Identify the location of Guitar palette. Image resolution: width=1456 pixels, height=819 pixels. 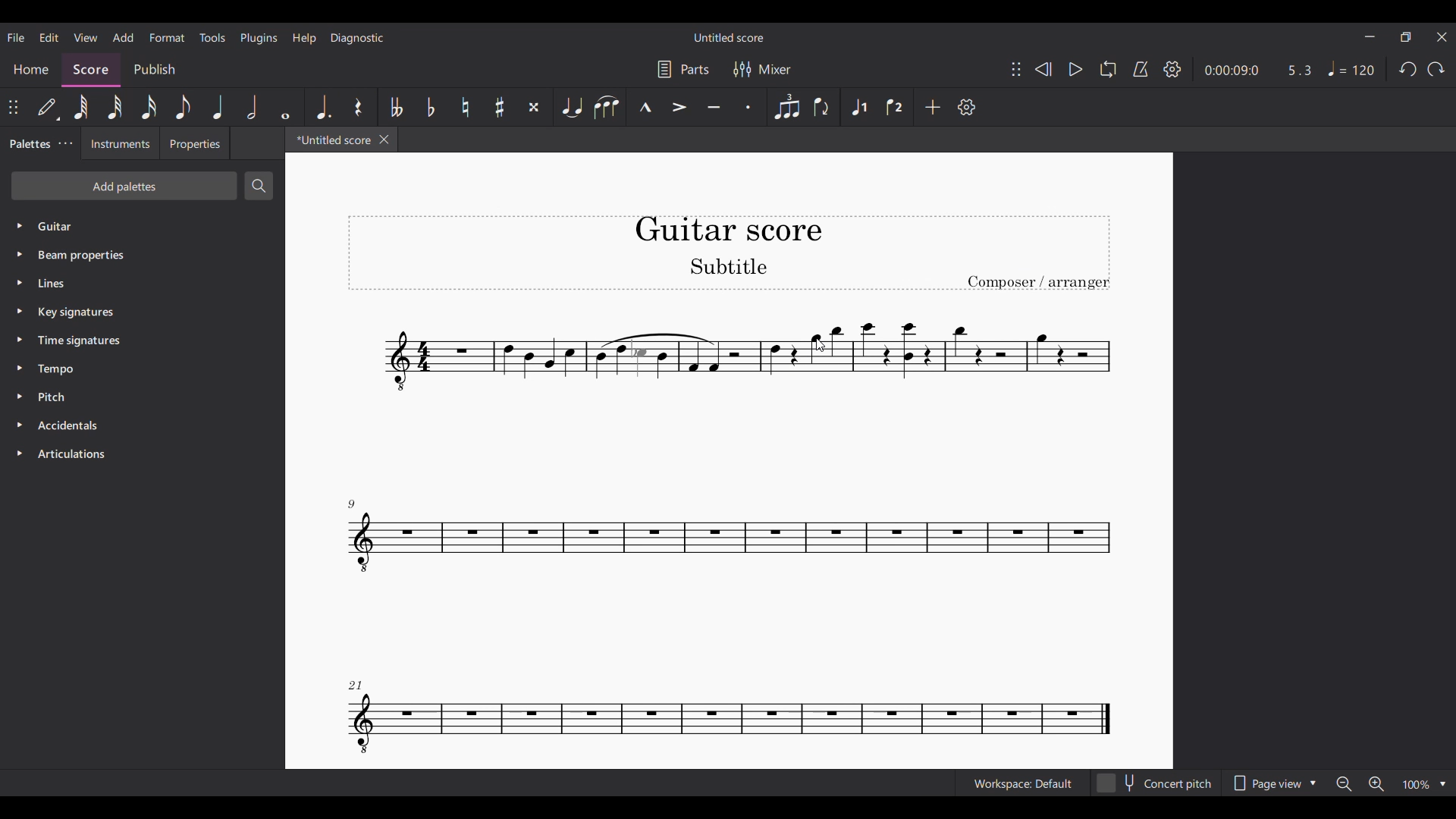
(55, 226).